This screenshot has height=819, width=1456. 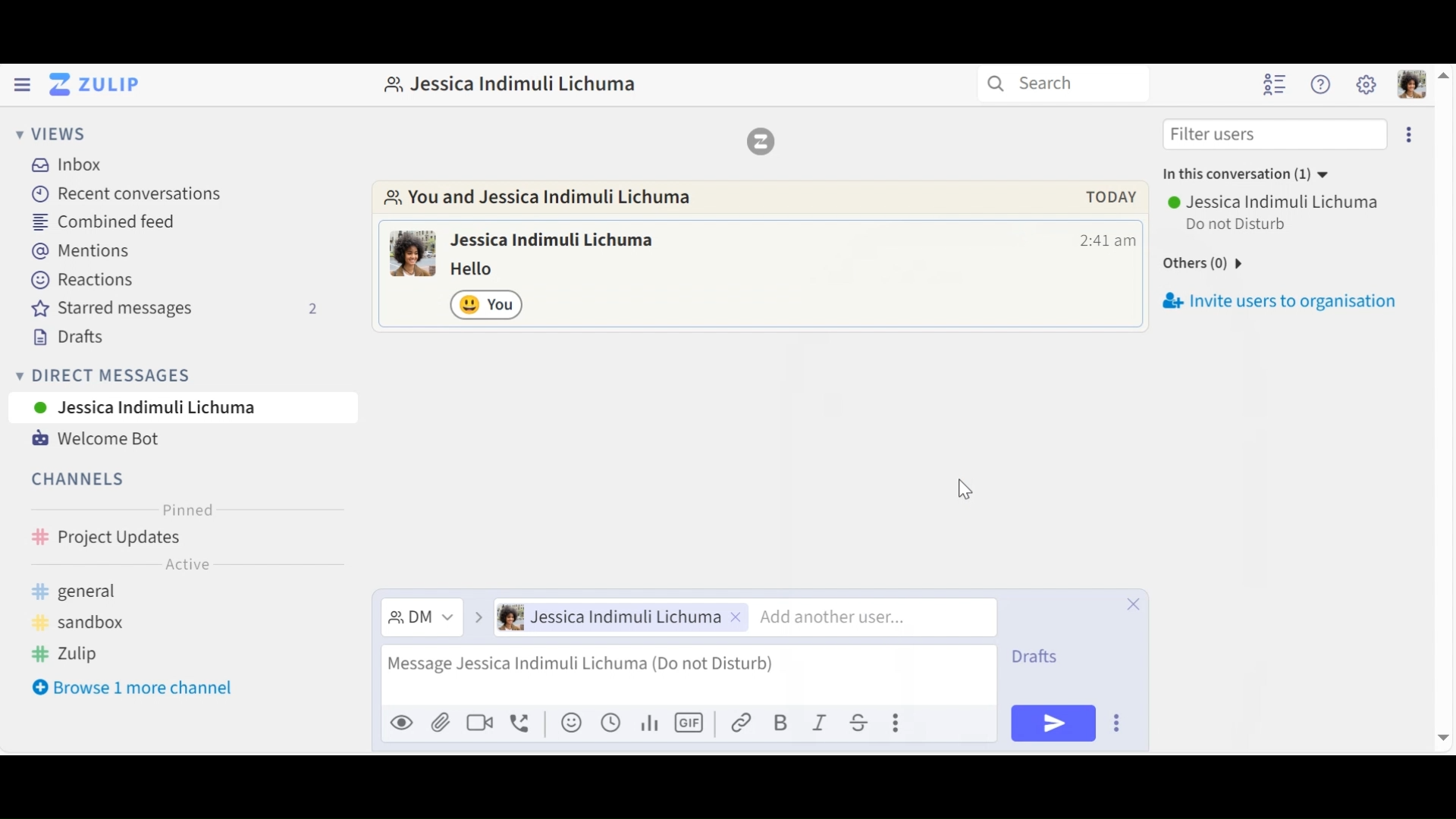 What do you see at coordinates (421, 619) in the screenshot?
I see `Filter messages` at bounding box center [421, 619].